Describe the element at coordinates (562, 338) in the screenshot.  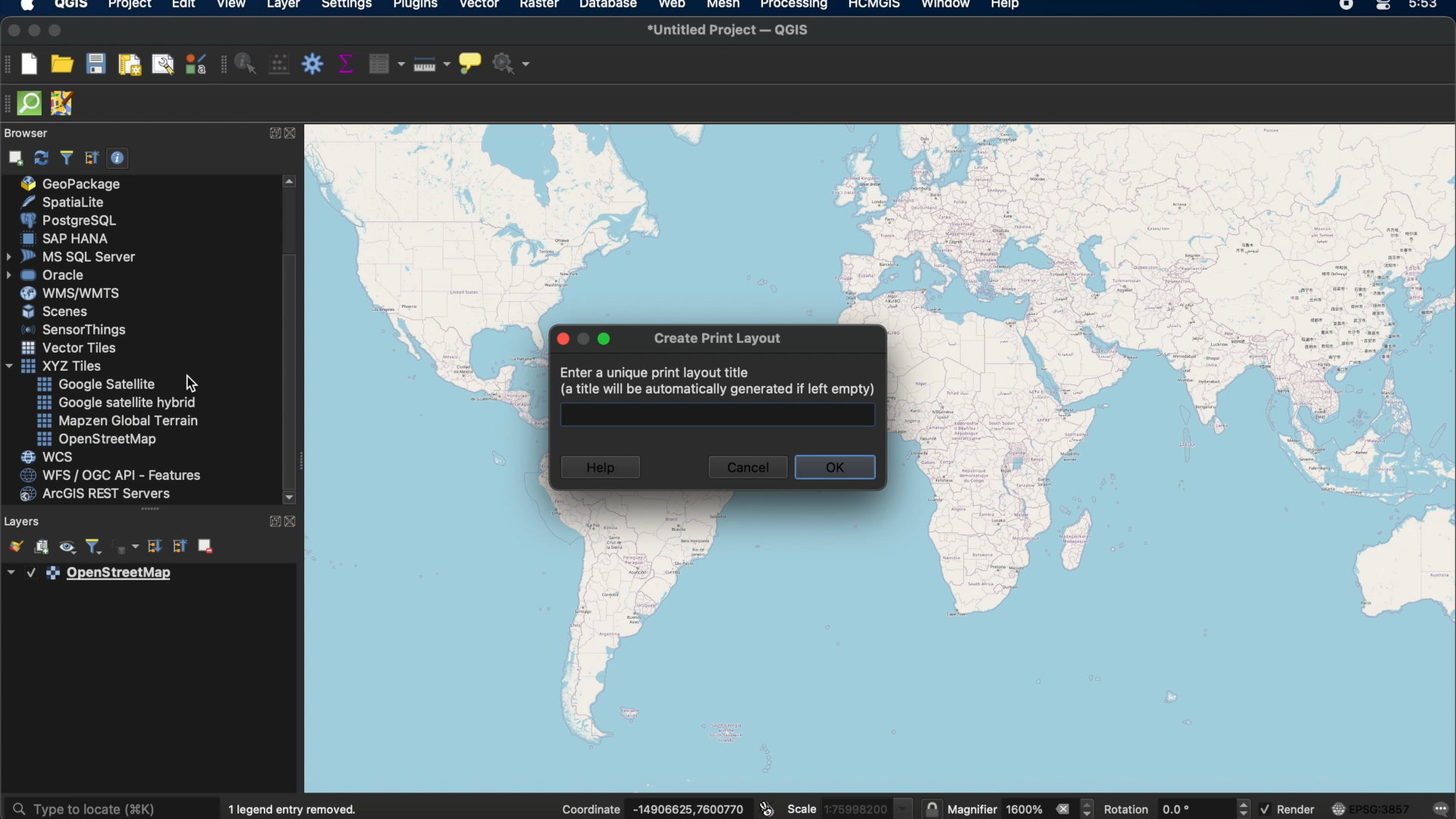
I see `close` at that location.